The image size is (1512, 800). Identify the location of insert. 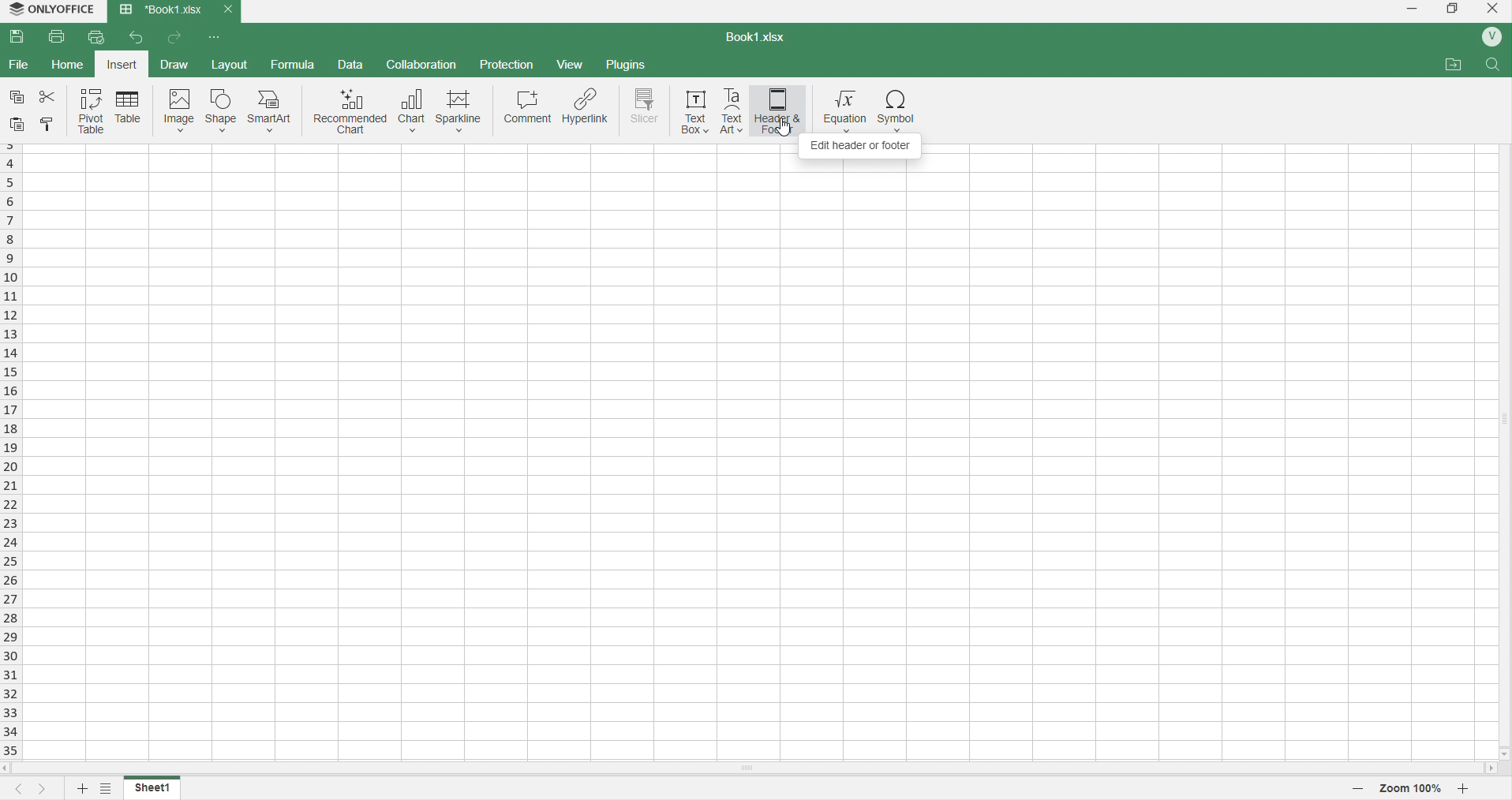
(122, 64).